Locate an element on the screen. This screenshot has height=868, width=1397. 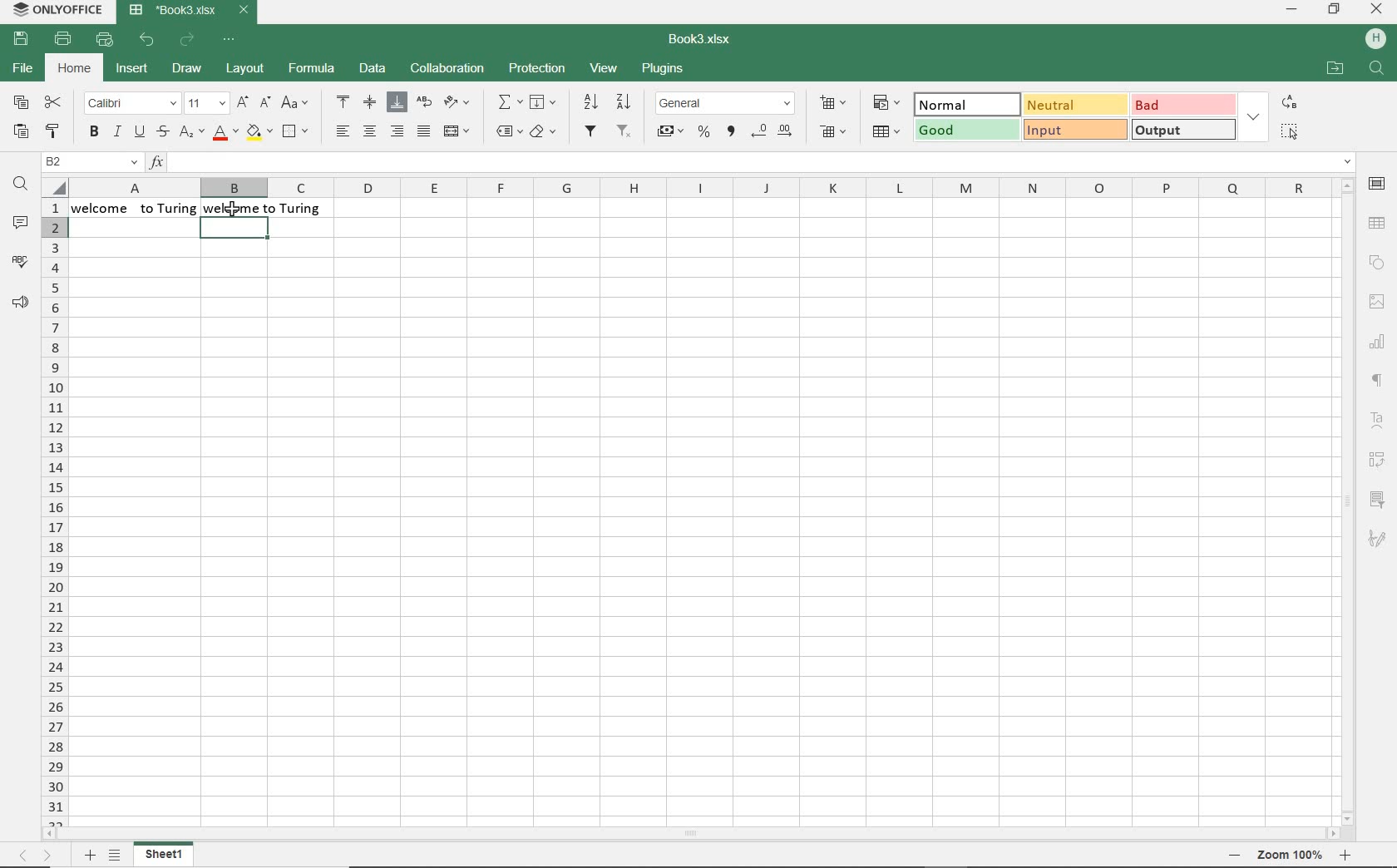
print is located at coordinates (60, 37).